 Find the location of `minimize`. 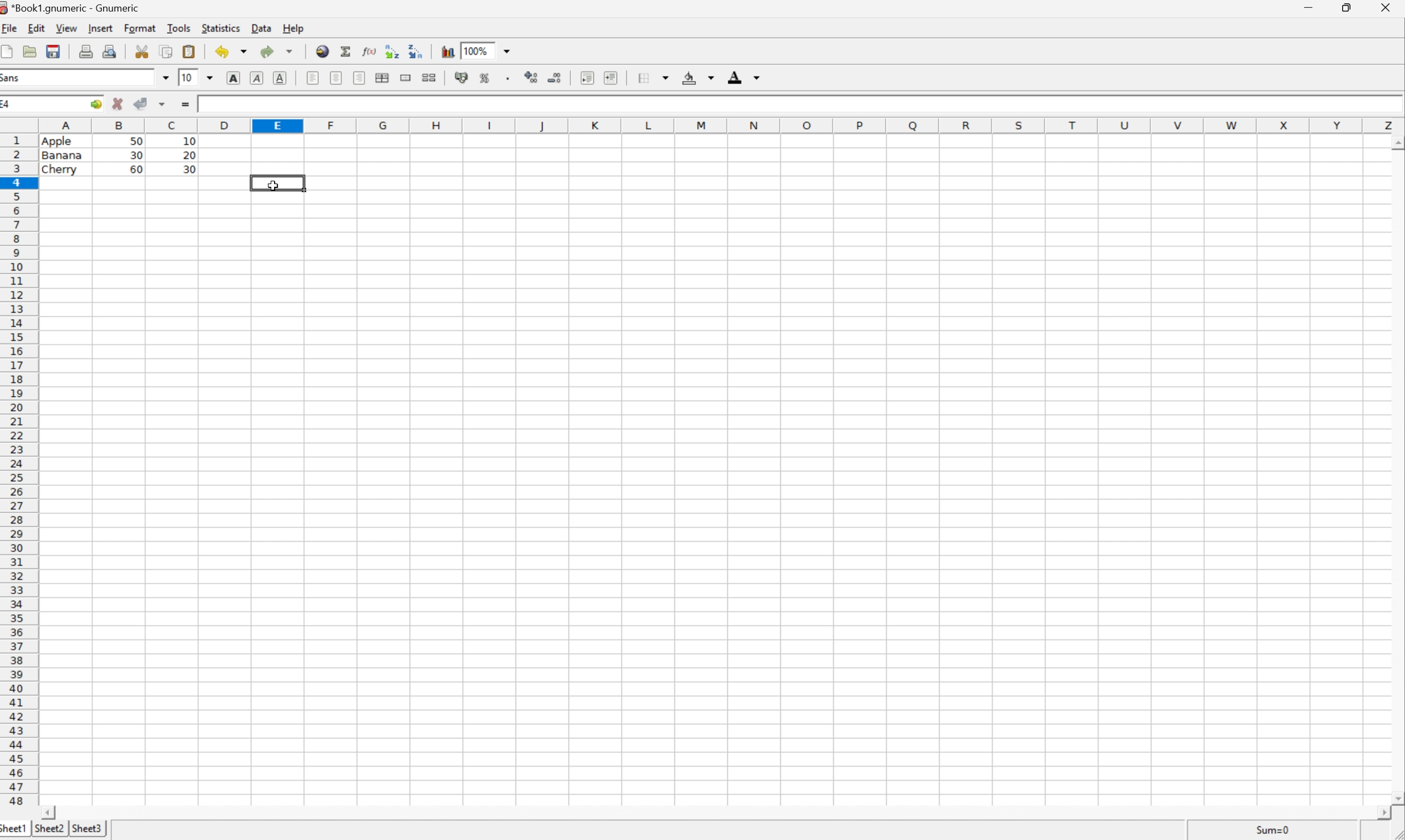

minimize is located at coordinates (1311, 7).